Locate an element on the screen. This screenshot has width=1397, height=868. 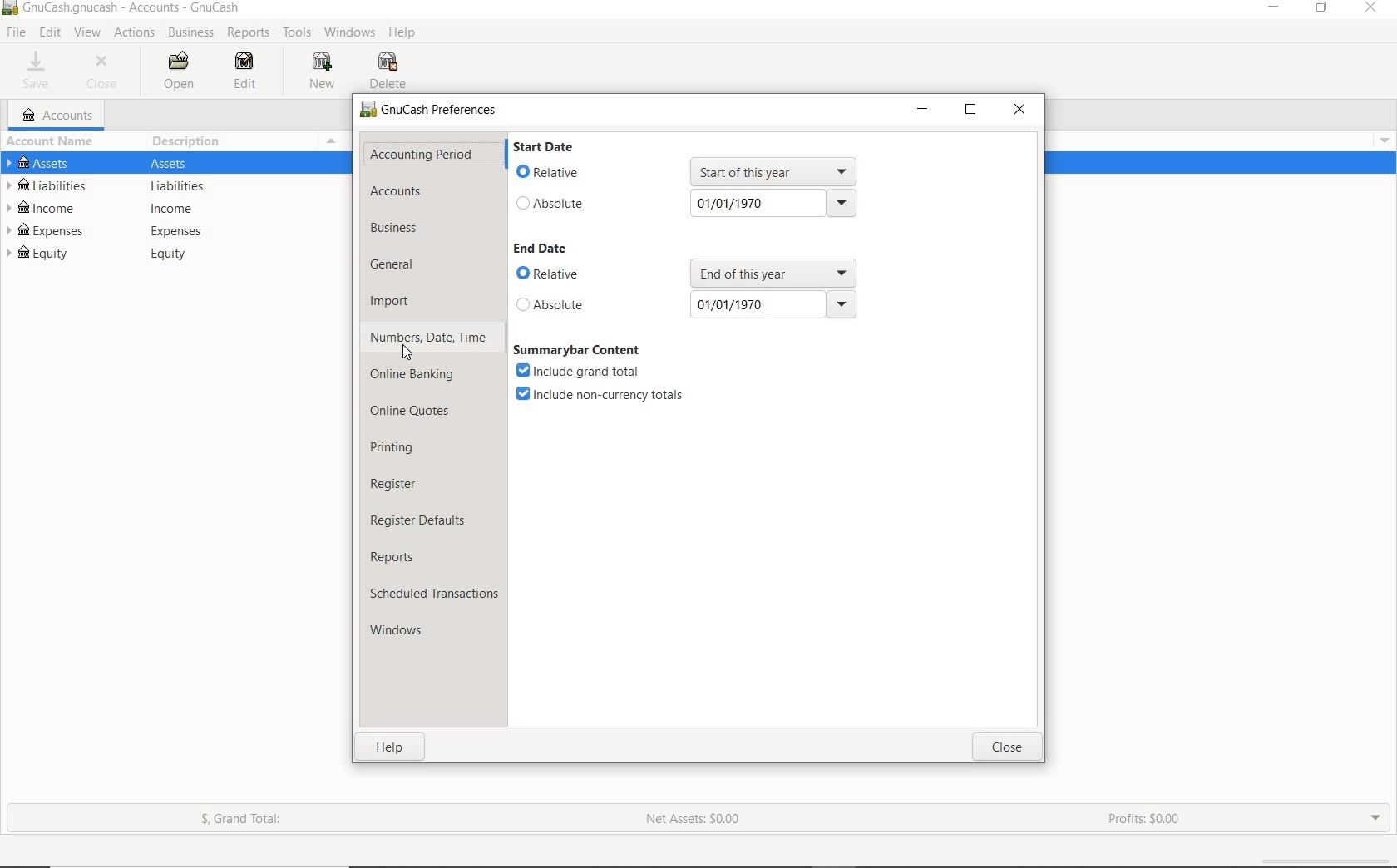
absolute is located at coordinates (559, 308).